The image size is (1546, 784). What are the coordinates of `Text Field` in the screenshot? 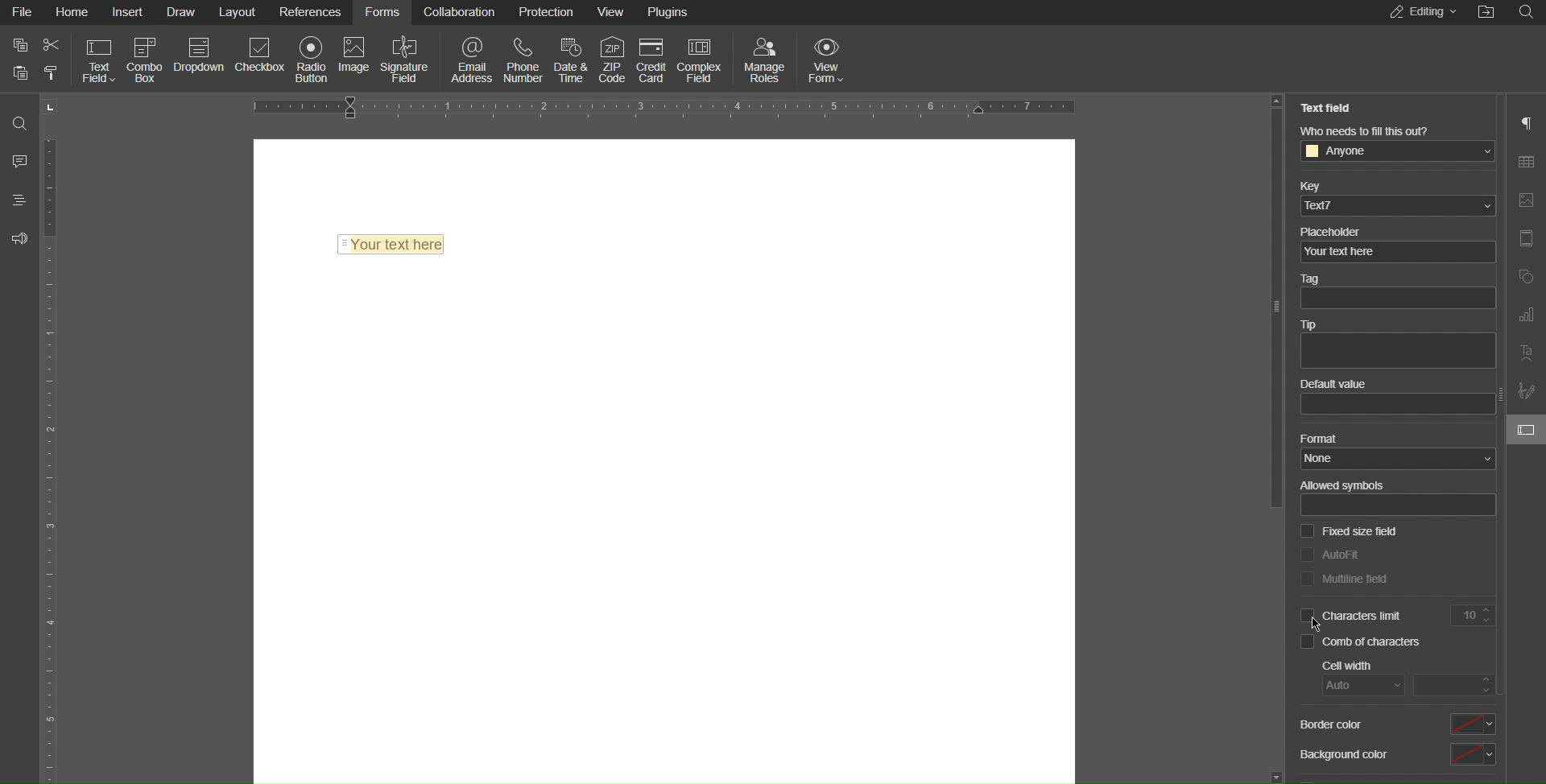 It's located at (1331, 108).